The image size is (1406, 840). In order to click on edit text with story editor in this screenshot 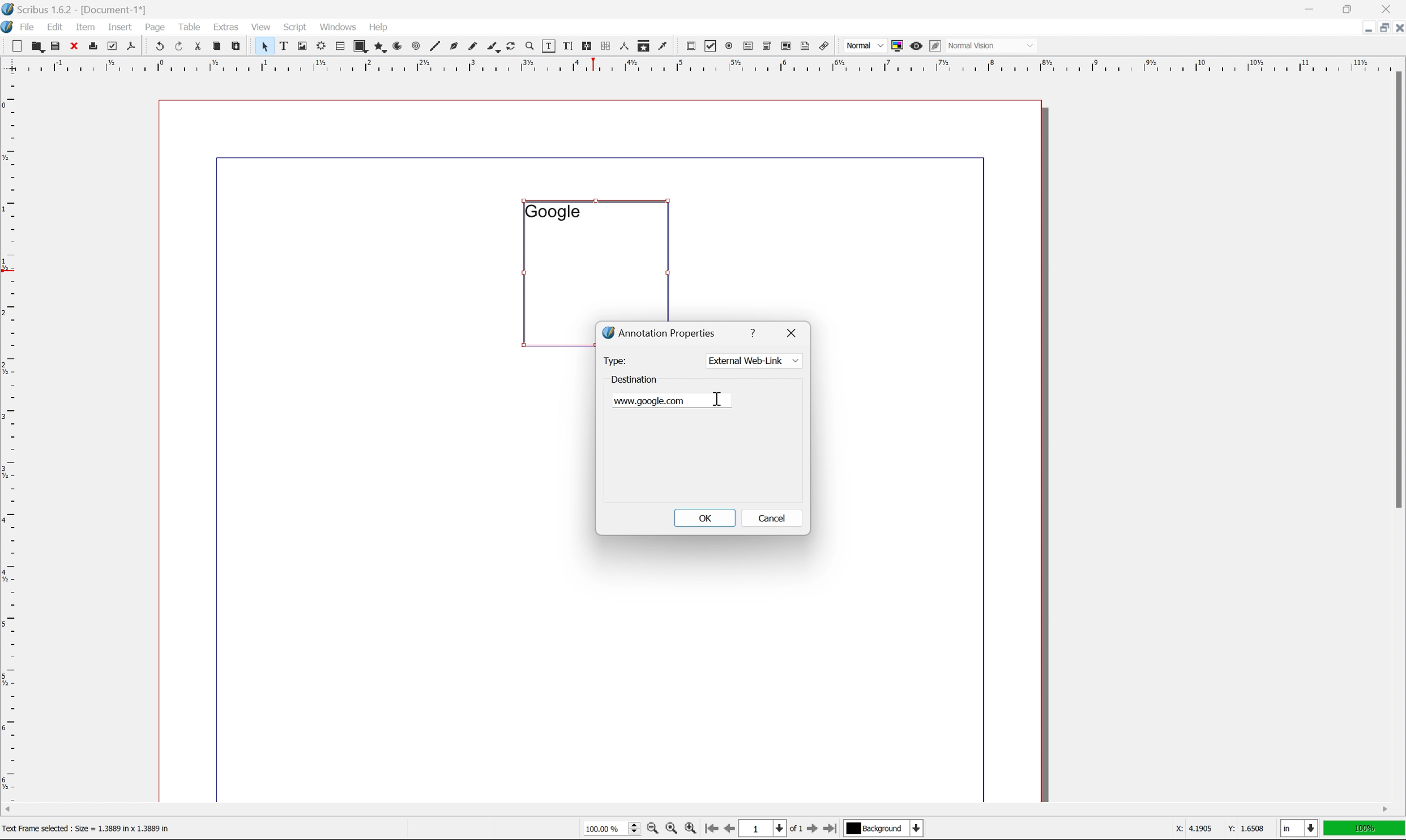, I will do `click(565, 45)`.